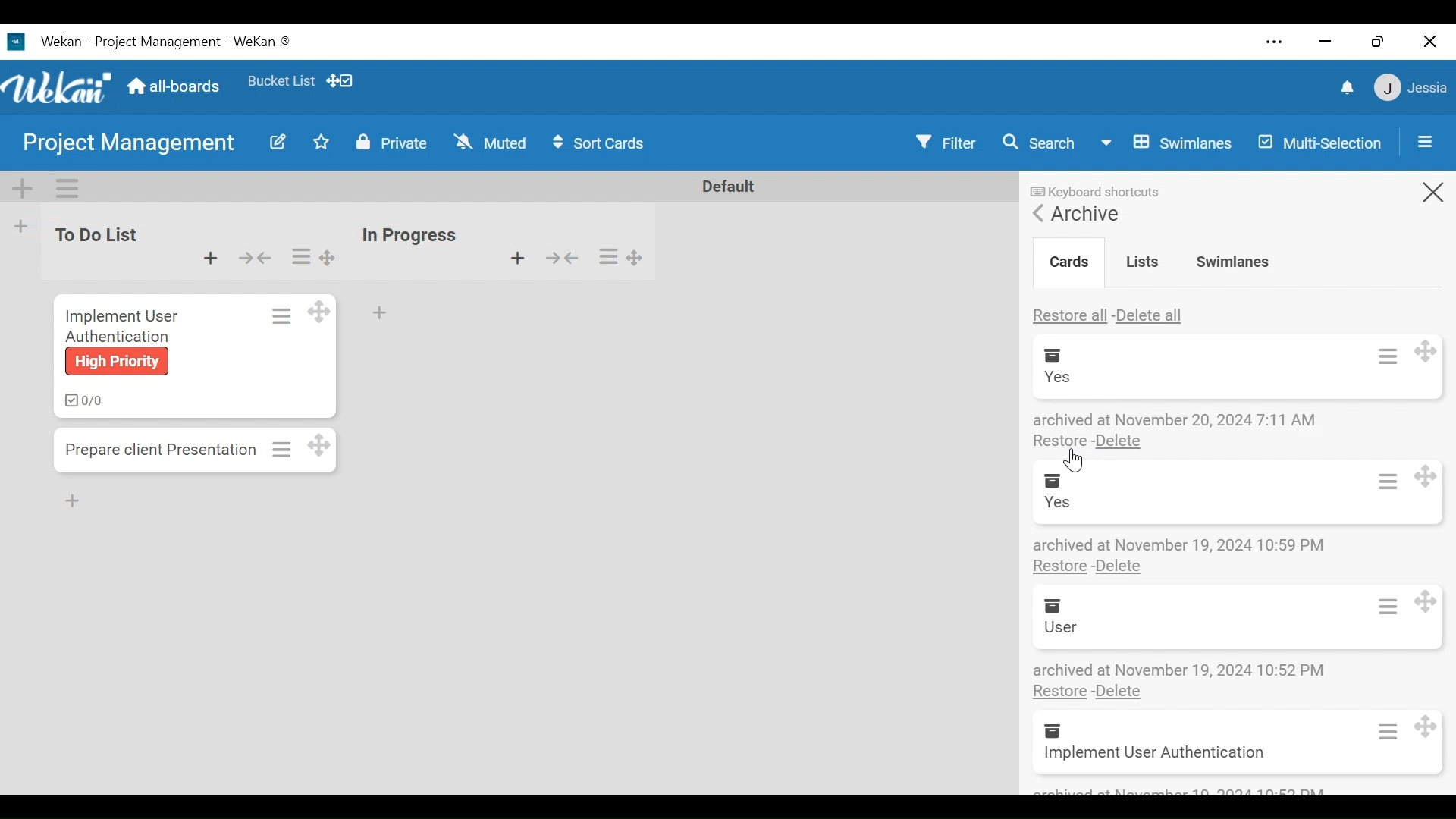 Image resolution: width=1456 pixels, height=819 pixels. Describe the element at coordinates (1423, 142) in the screenshot. I see `Open/Close Sidebar` at that location.